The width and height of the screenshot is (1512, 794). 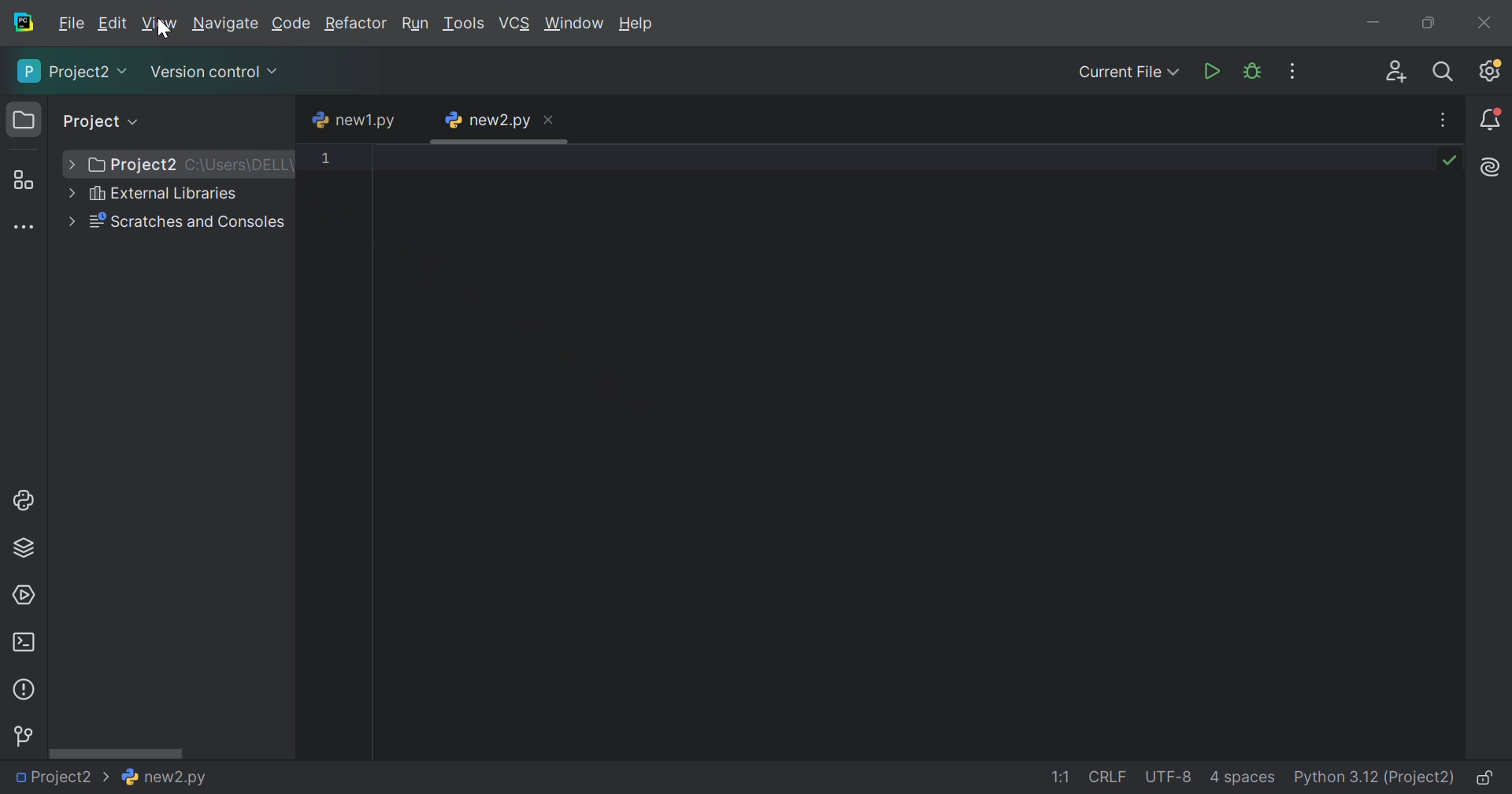 I want to click on File, so click(x=71, y=24).